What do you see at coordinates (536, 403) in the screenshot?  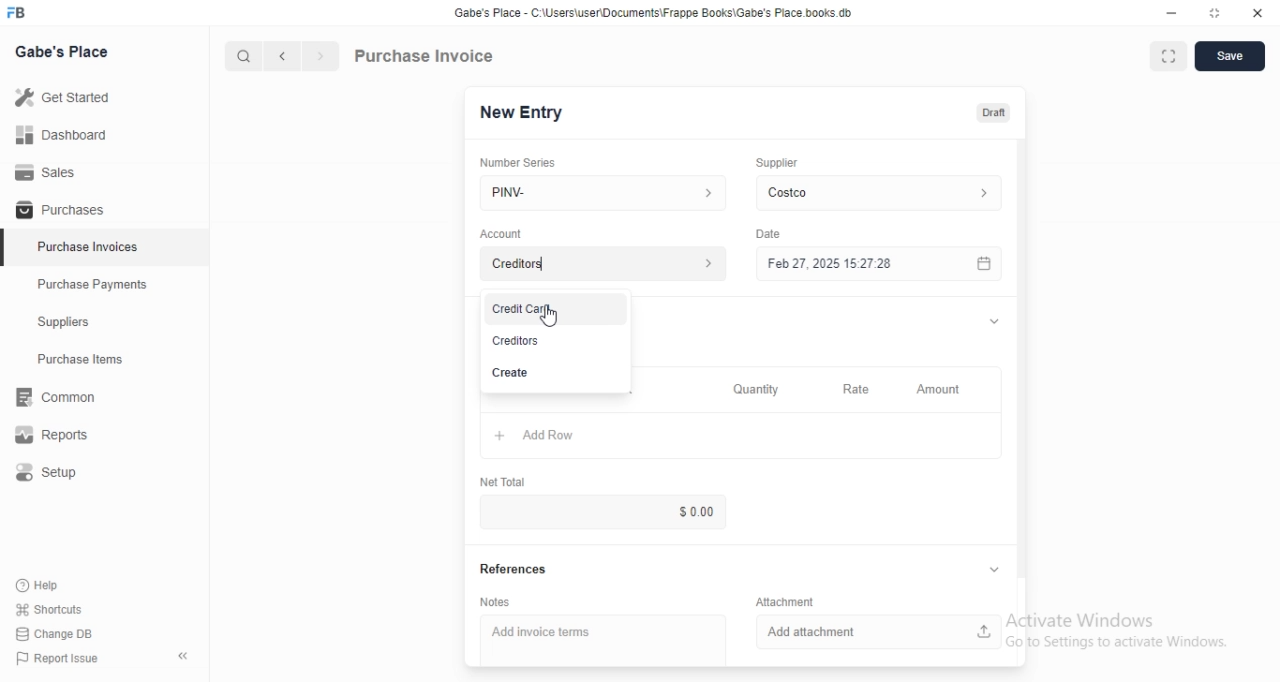 I see `# Item` at bounding box center [536, 403].